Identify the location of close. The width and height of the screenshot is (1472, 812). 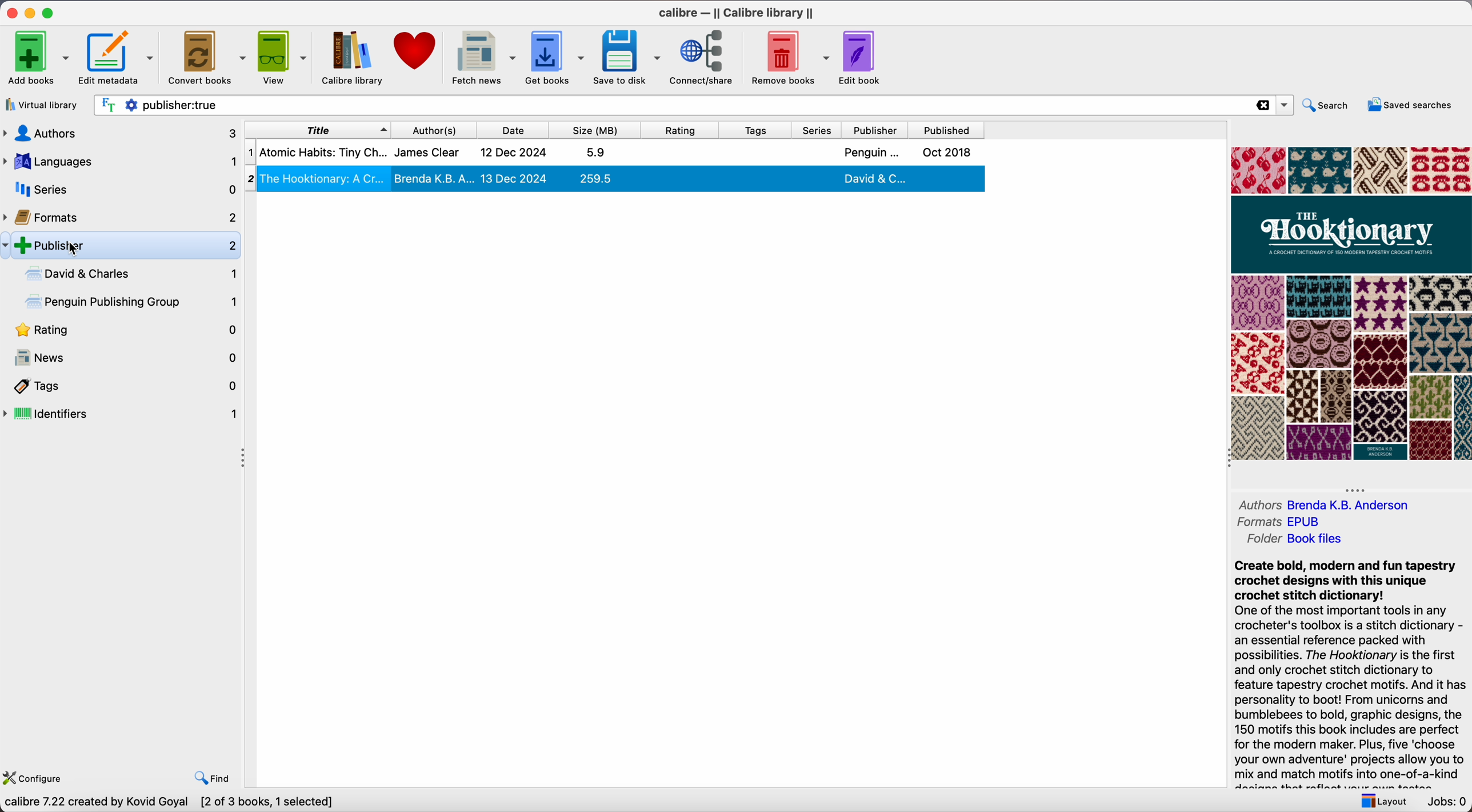
(10, 13).